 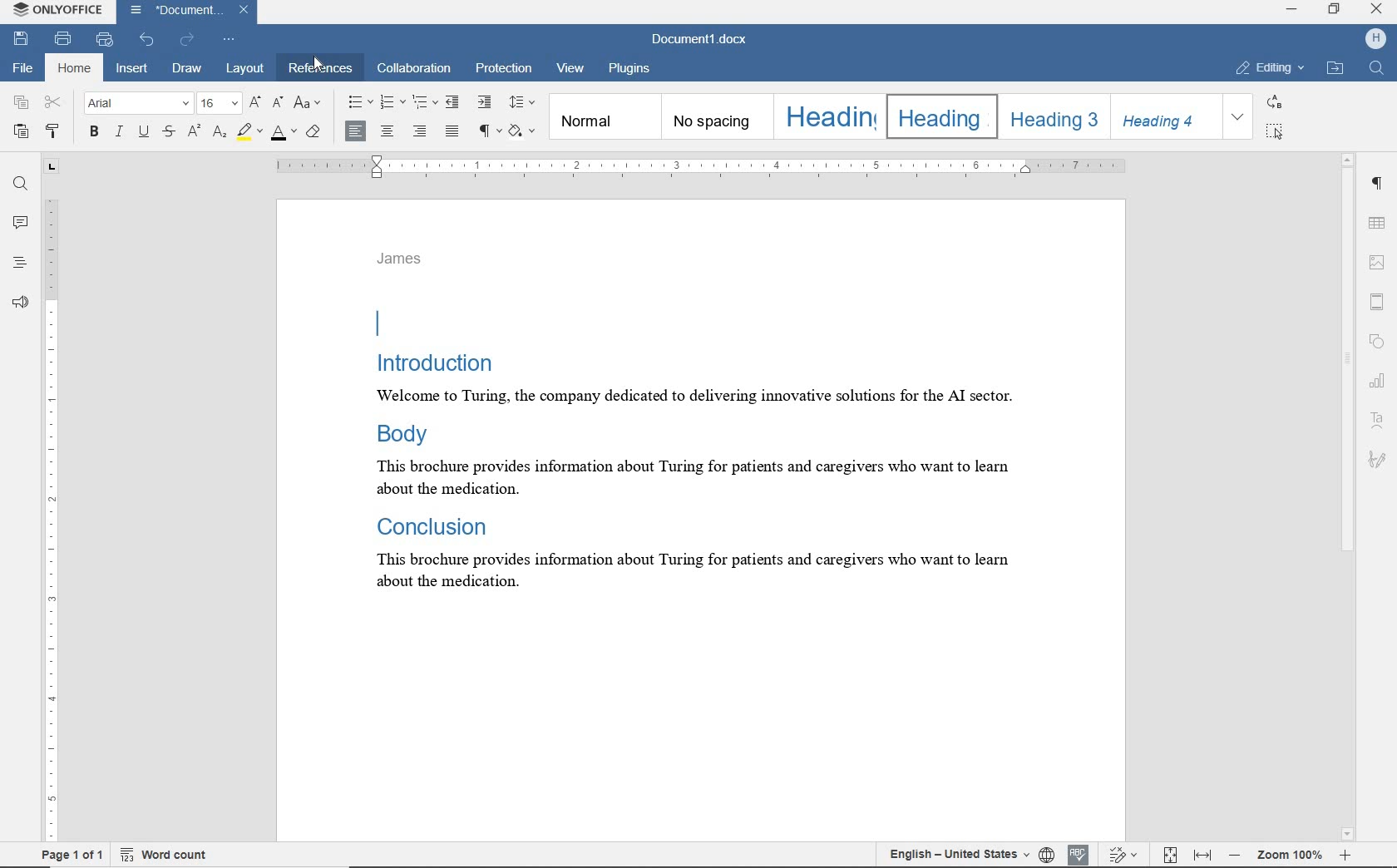 What do you see at coordinates (419, 133) in the screenshot?
I see `align right` at bounding box center [419, 133].